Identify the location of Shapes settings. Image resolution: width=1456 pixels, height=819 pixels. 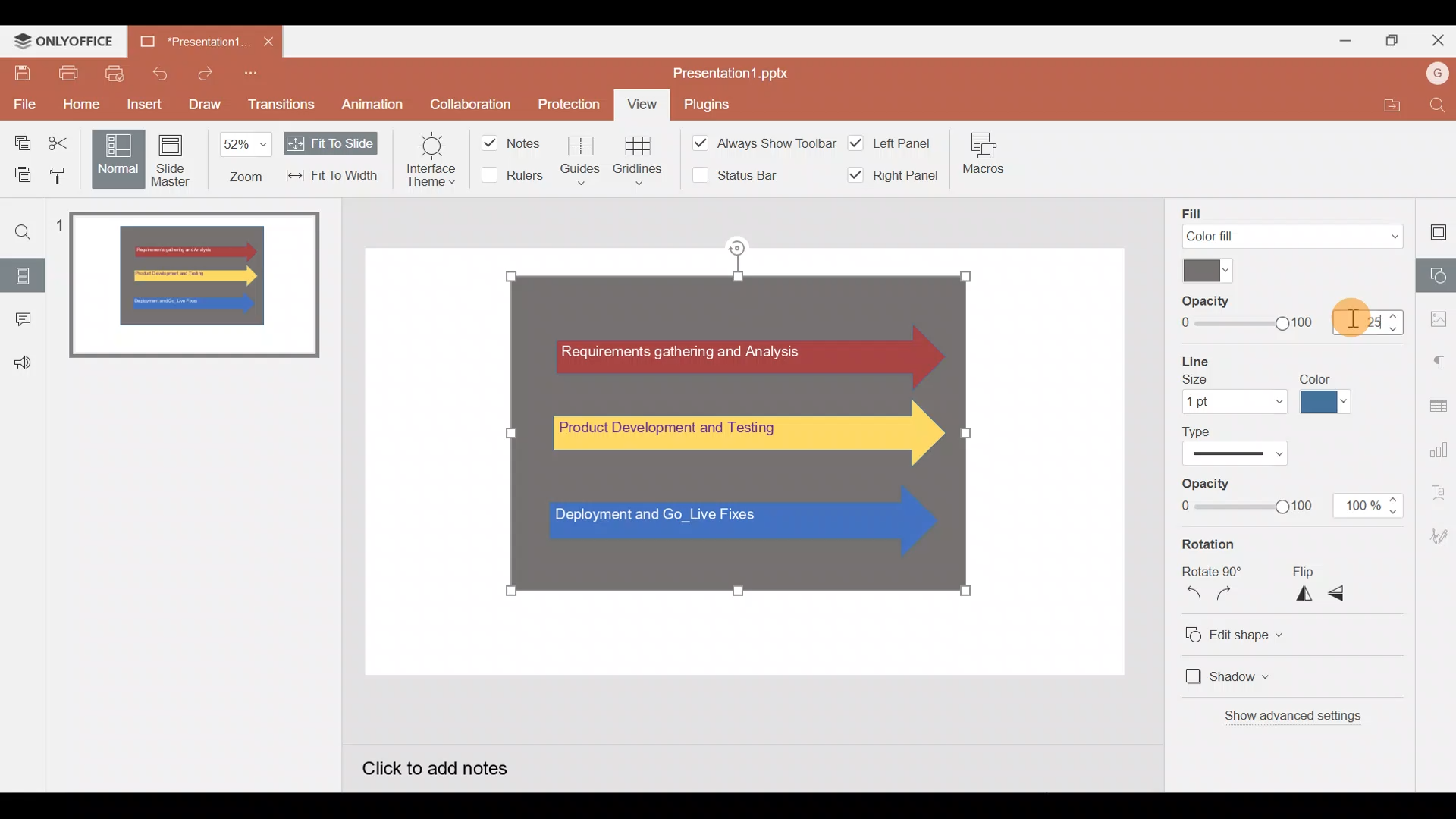
(1437, 278).